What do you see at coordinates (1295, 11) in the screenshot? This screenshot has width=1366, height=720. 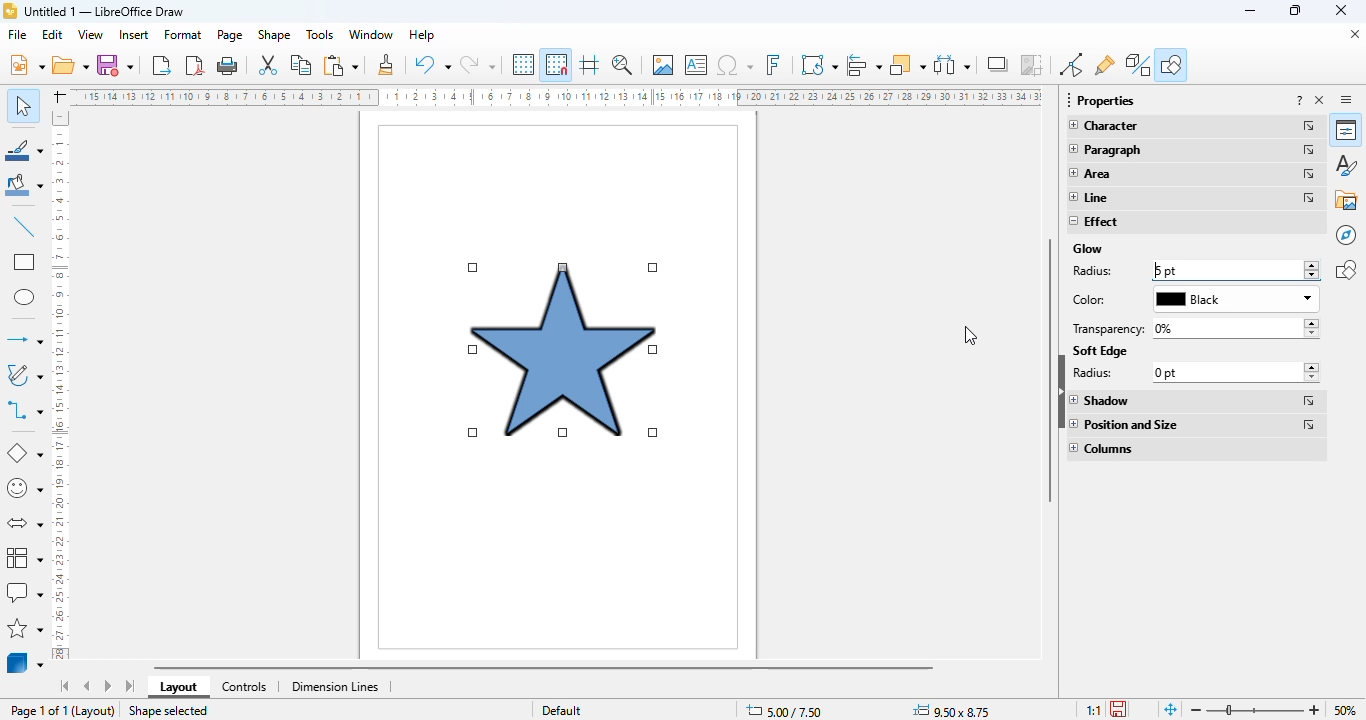 I see `maximize` at bounding box center [1295, 11].